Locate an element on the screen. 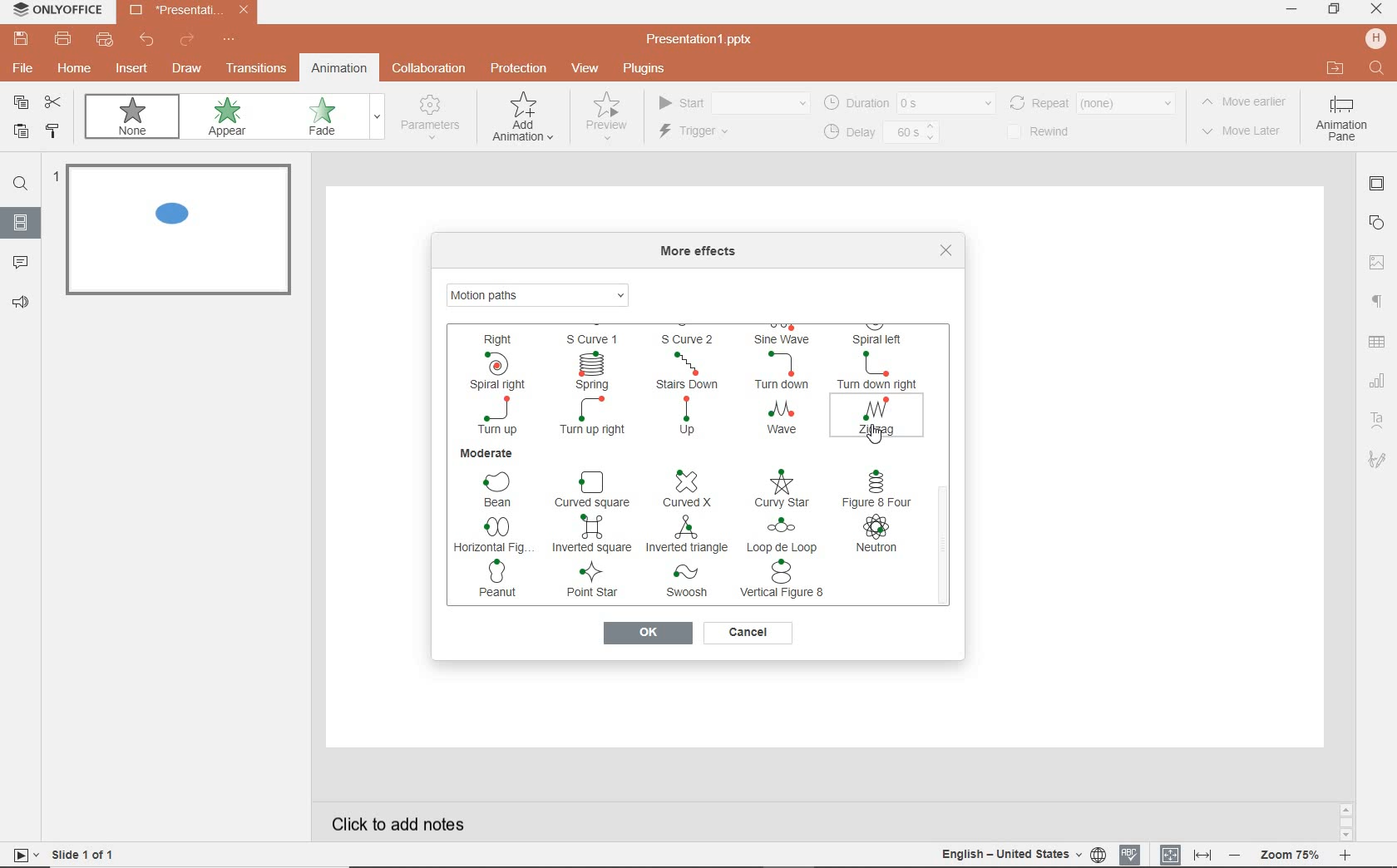  curved square is located at coordinates (595, 489).